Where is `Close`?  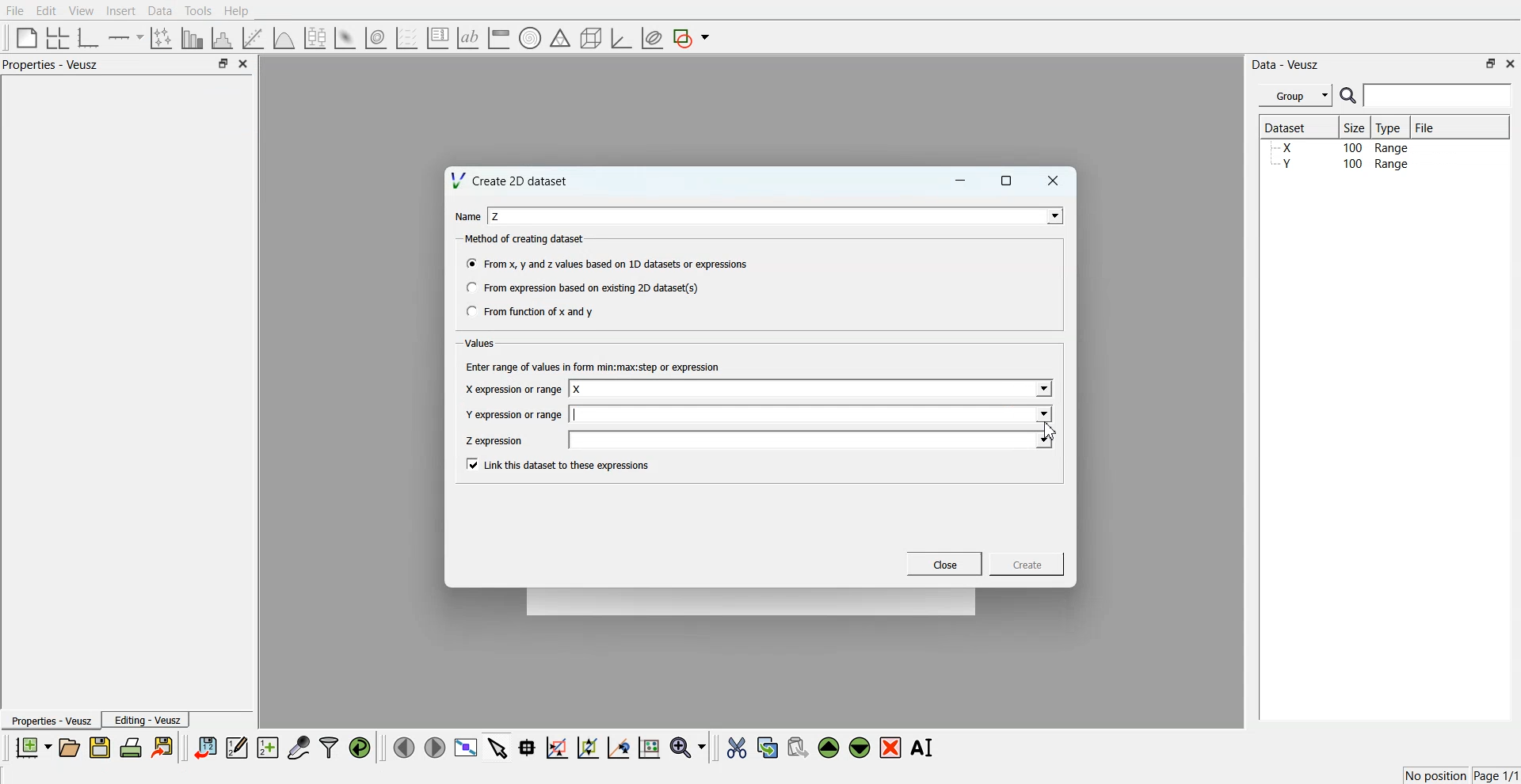
Close is located at coordinates (1511, 63).